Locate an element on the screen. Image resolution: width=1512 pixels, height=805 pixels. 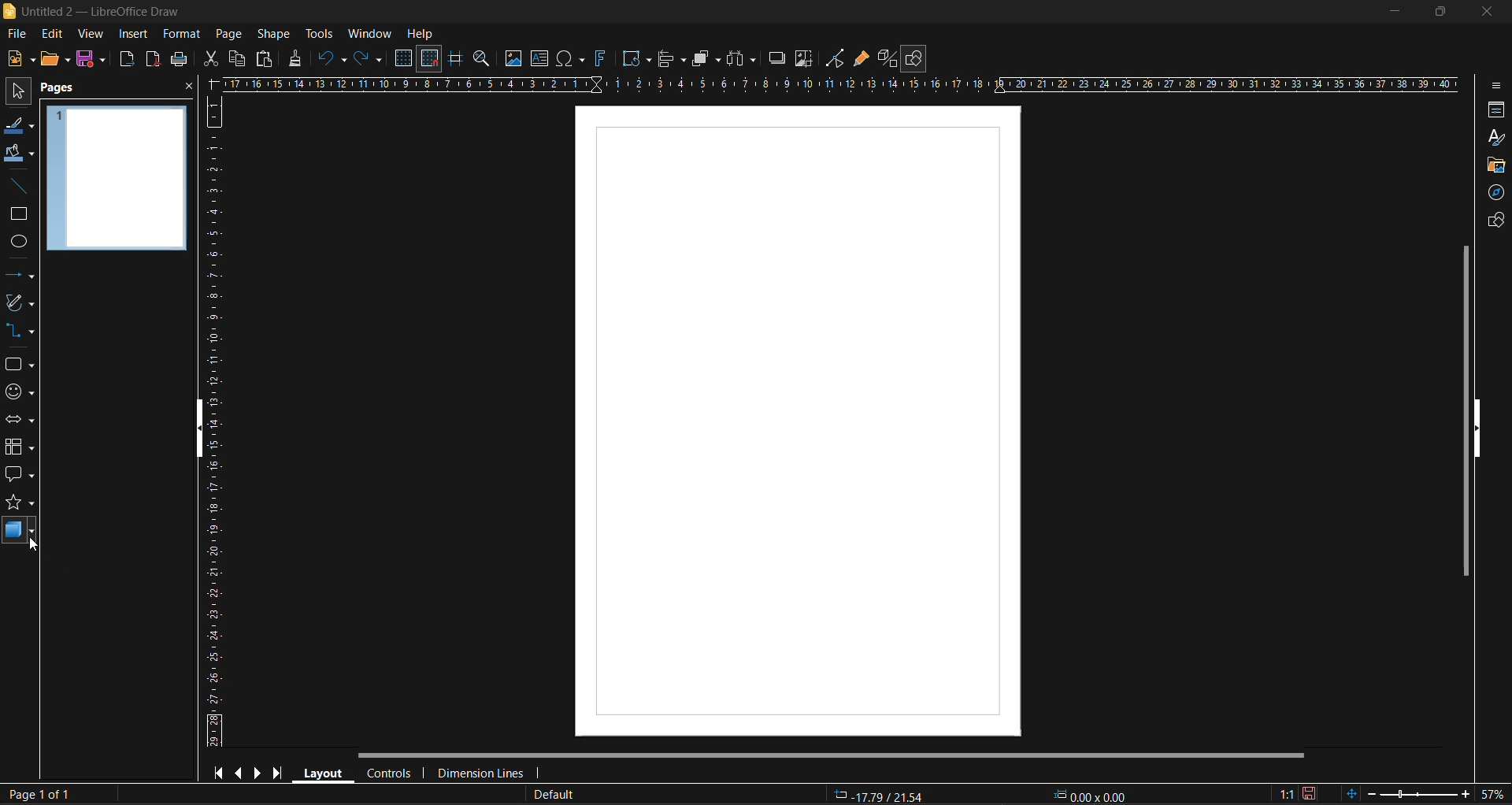
help is located at coordinates (421, 35).